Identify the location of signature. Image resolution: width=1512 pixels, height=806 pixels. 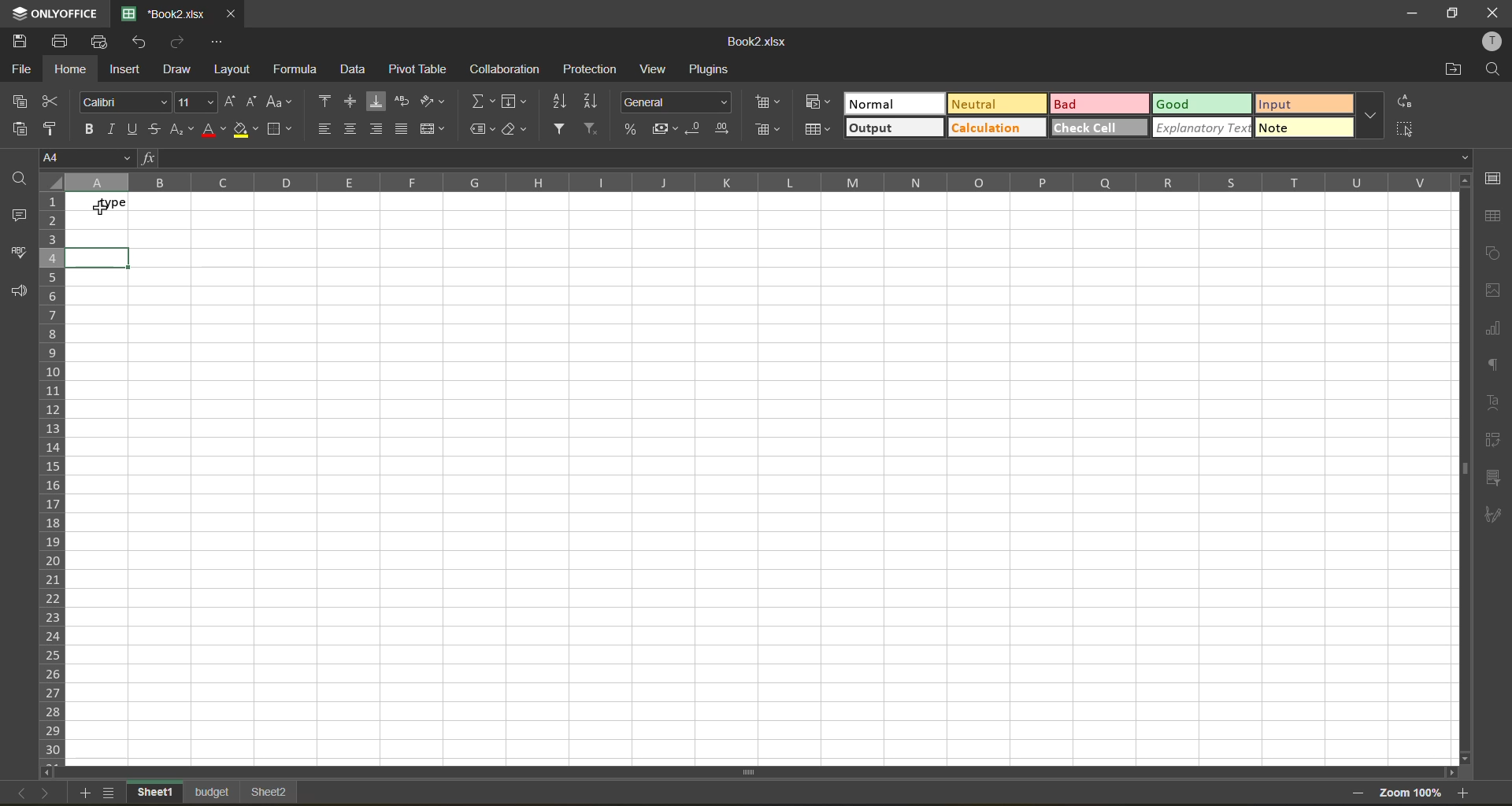
(1497, 518).